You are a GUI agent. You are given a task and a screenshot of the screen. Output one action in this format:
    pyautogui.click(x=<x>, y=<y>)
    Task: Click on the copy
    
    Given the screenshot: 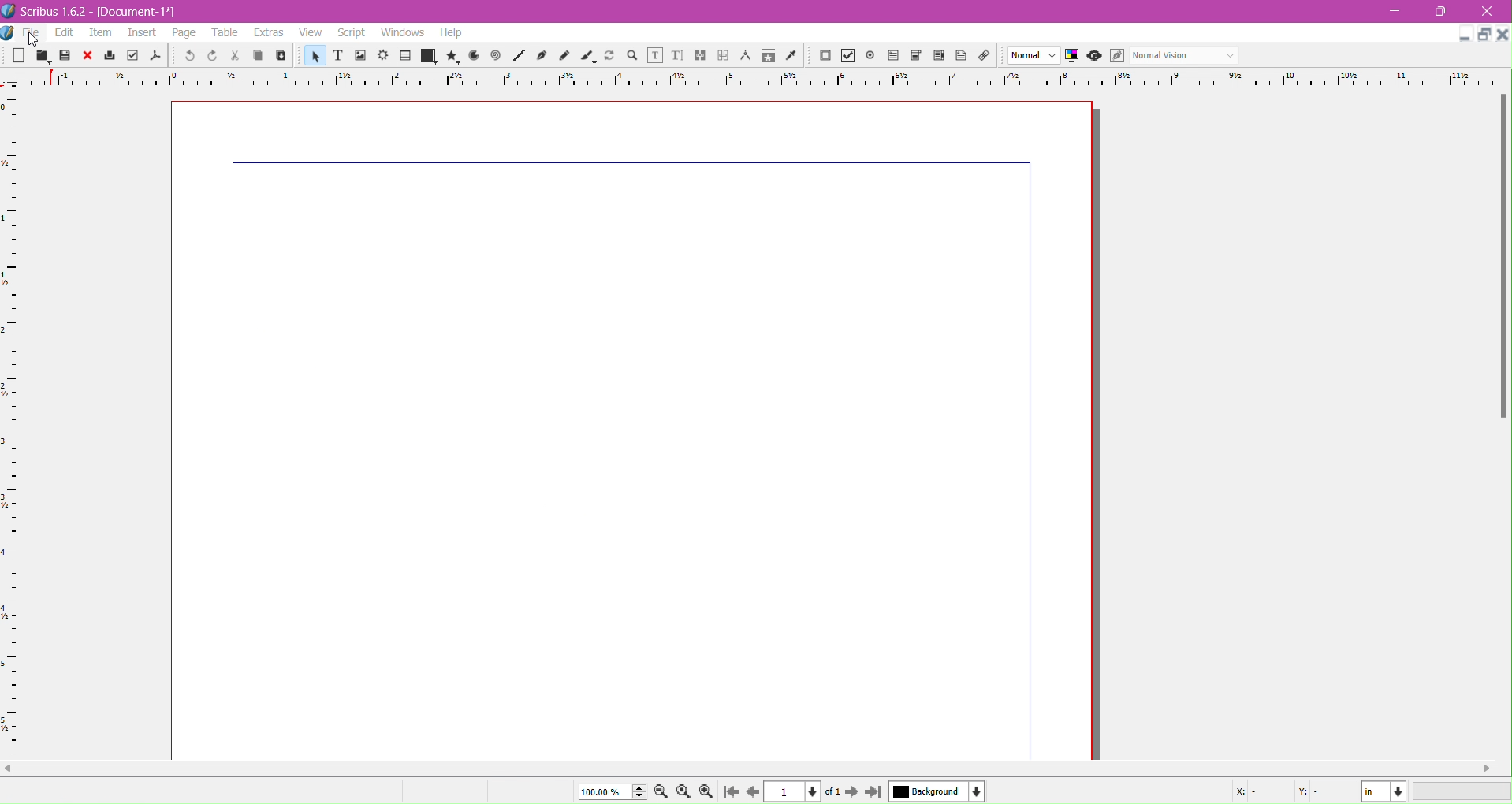 What is the action you would take?
    pyautogui.click(x=255, y=57)
    